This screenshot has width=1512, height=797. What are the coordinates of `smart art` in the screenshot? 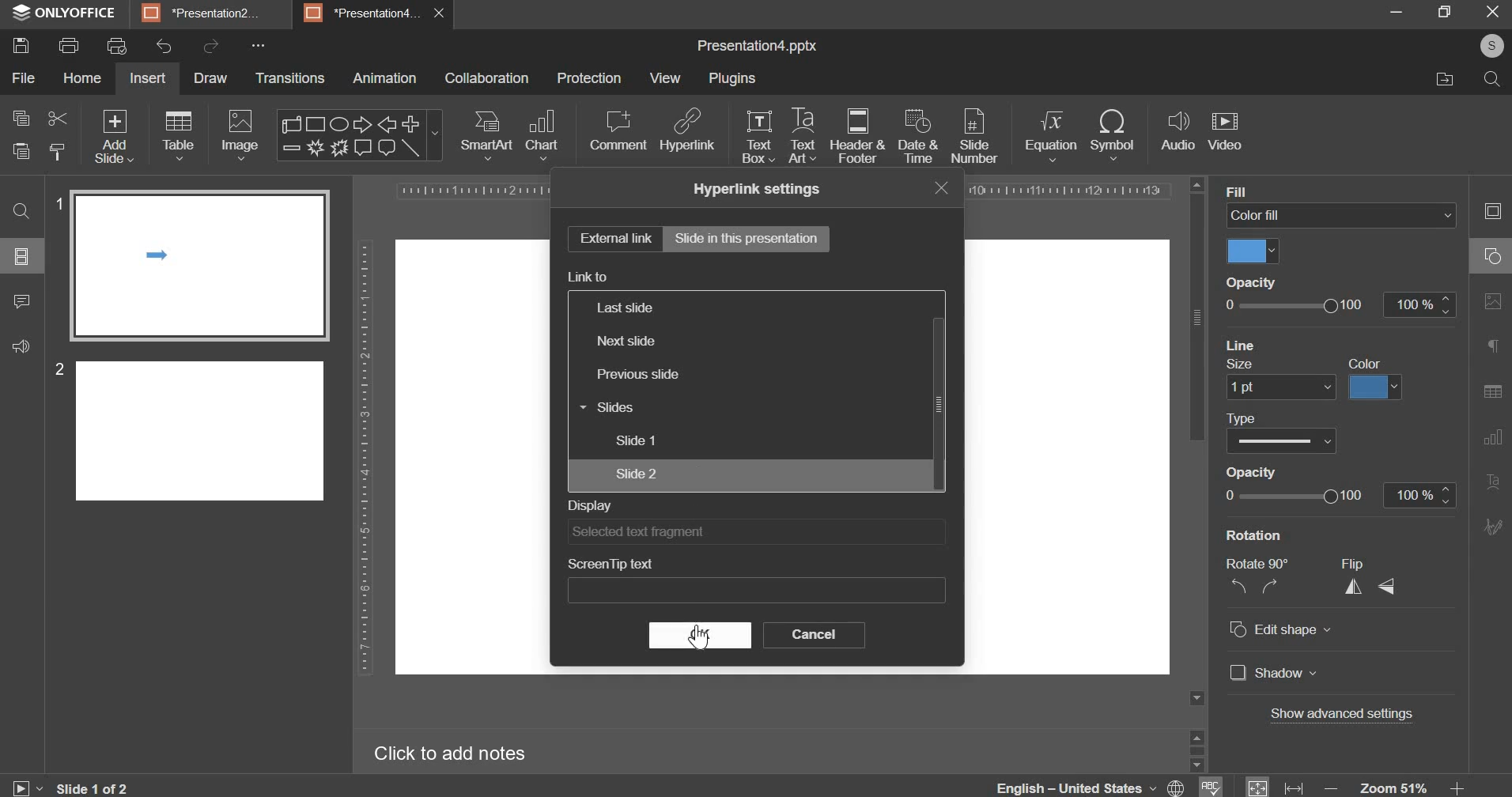 It's located at (488, 136).